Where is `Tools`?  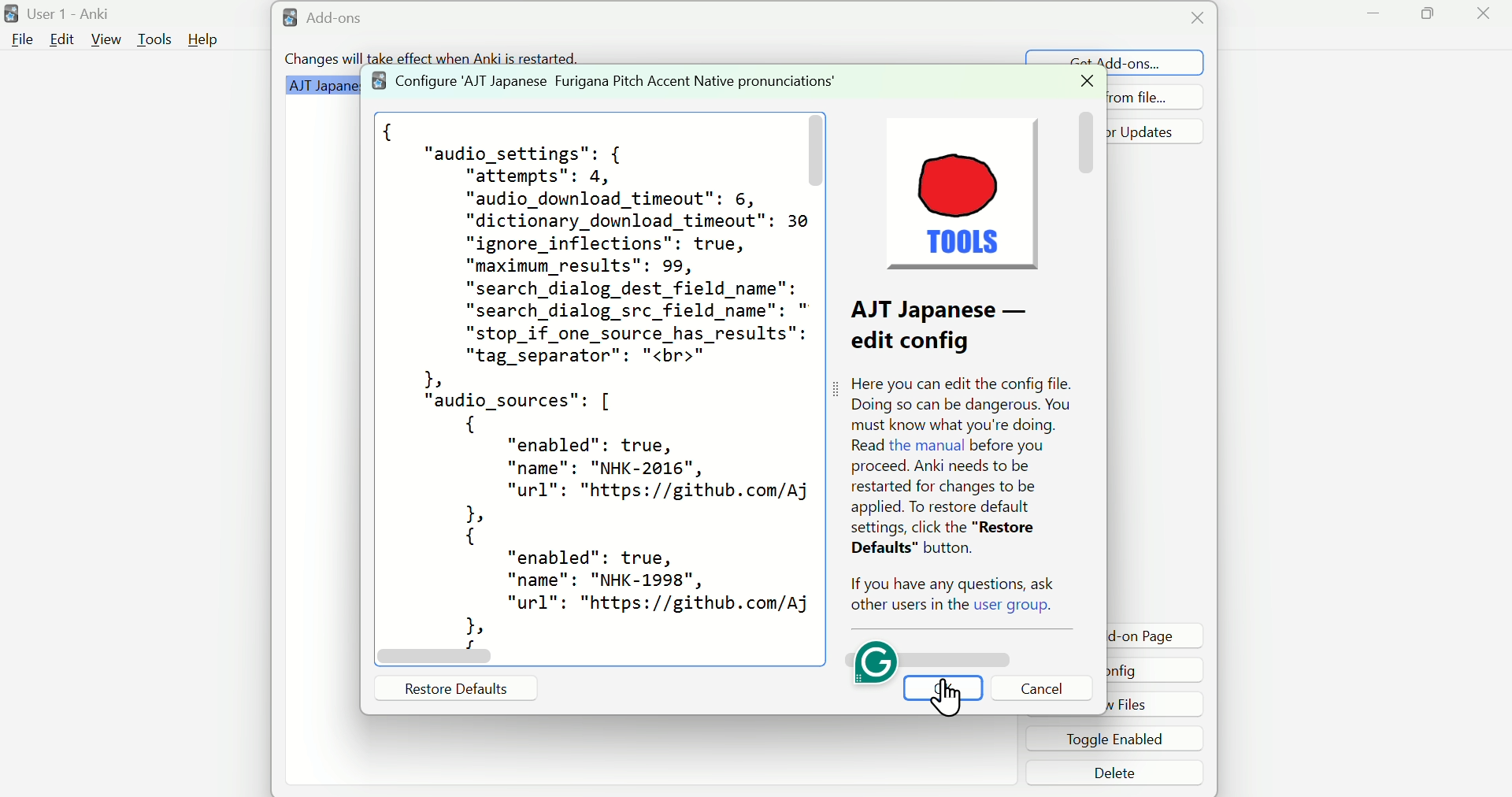 Tools is located at coordinates (154, 41).